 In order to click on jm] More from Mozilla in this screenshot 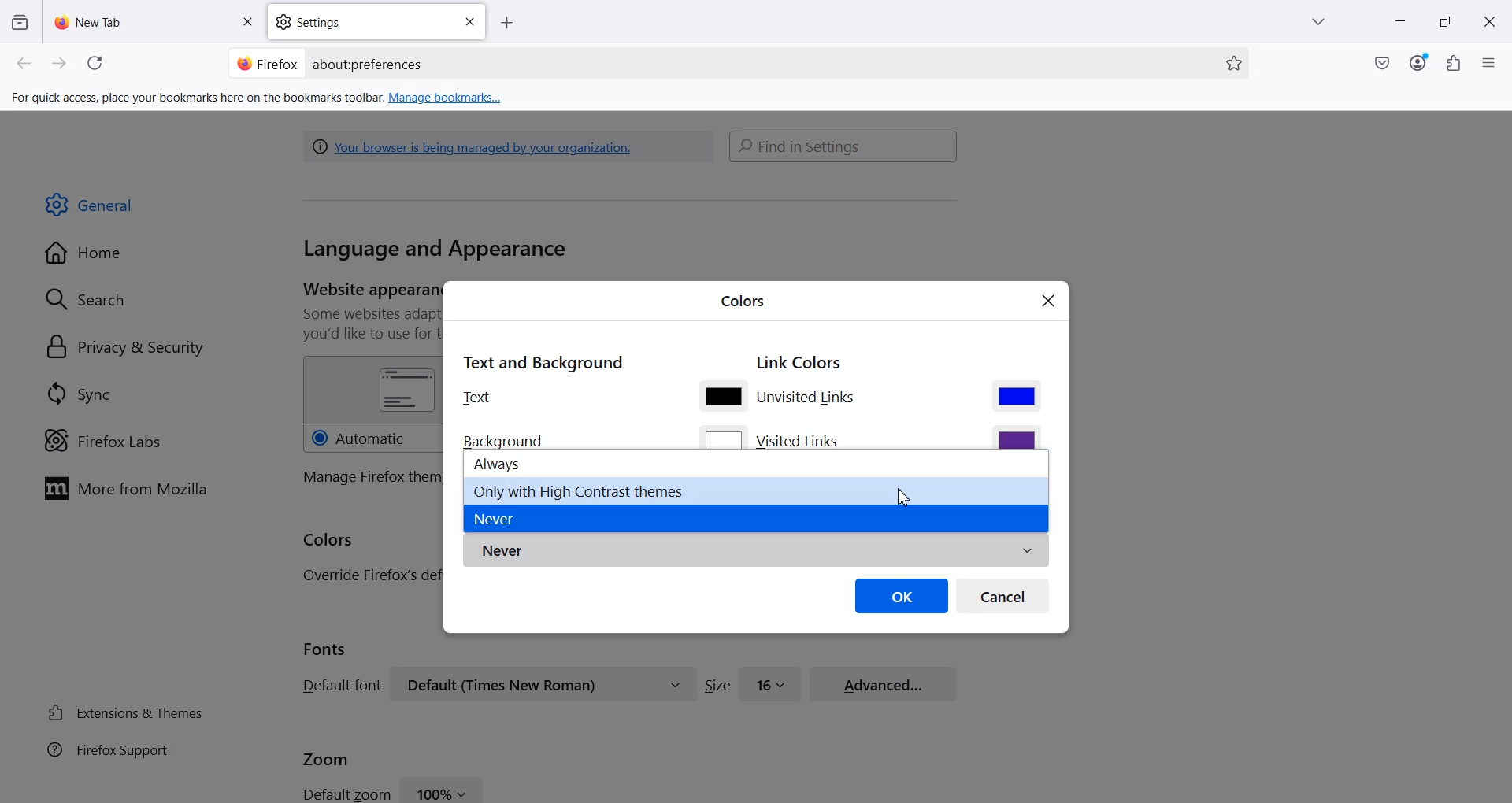, I will do `click(125, 490)`.